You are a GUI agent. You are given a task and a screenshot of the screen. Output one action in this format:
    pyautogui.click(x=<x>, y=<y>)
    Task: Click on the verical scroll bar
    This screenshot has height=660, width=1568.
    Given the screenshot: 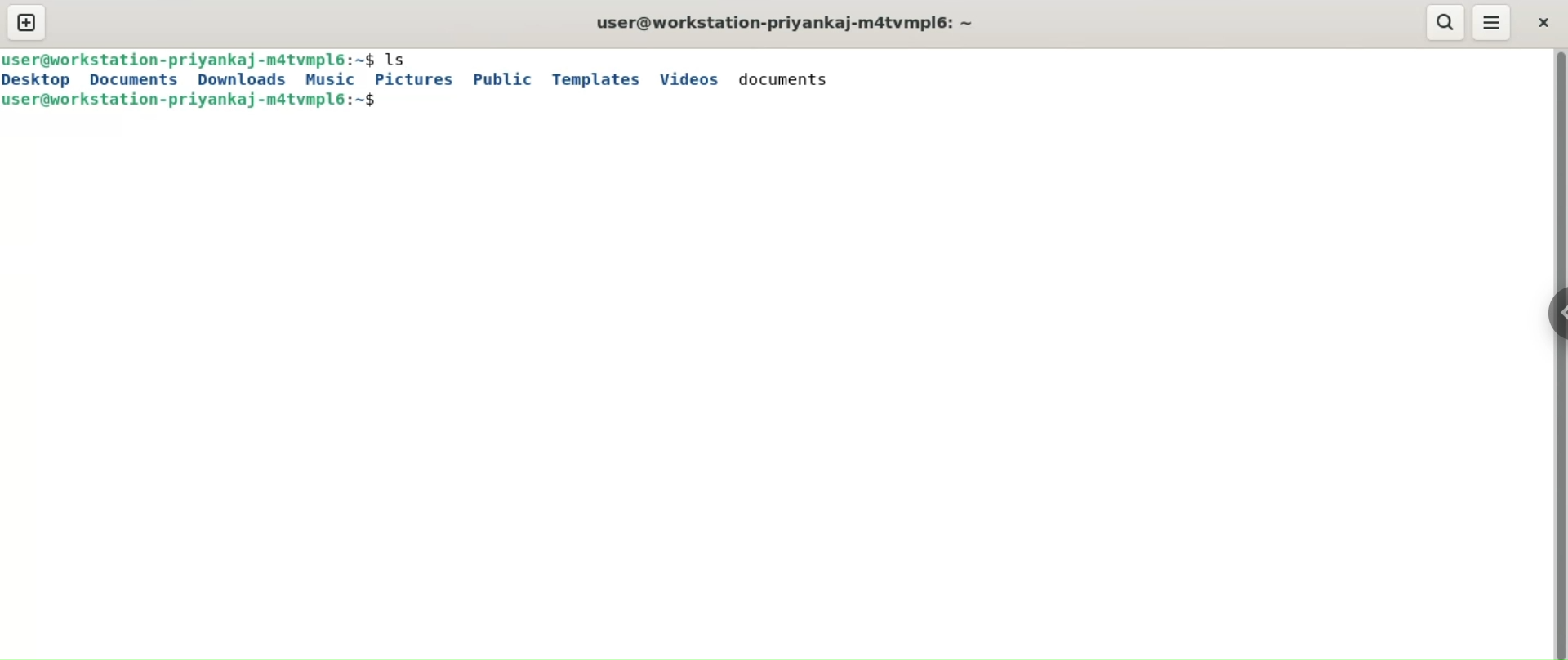 What is the action you would take?
    pyautogui.click(x=1558, y=354)
    